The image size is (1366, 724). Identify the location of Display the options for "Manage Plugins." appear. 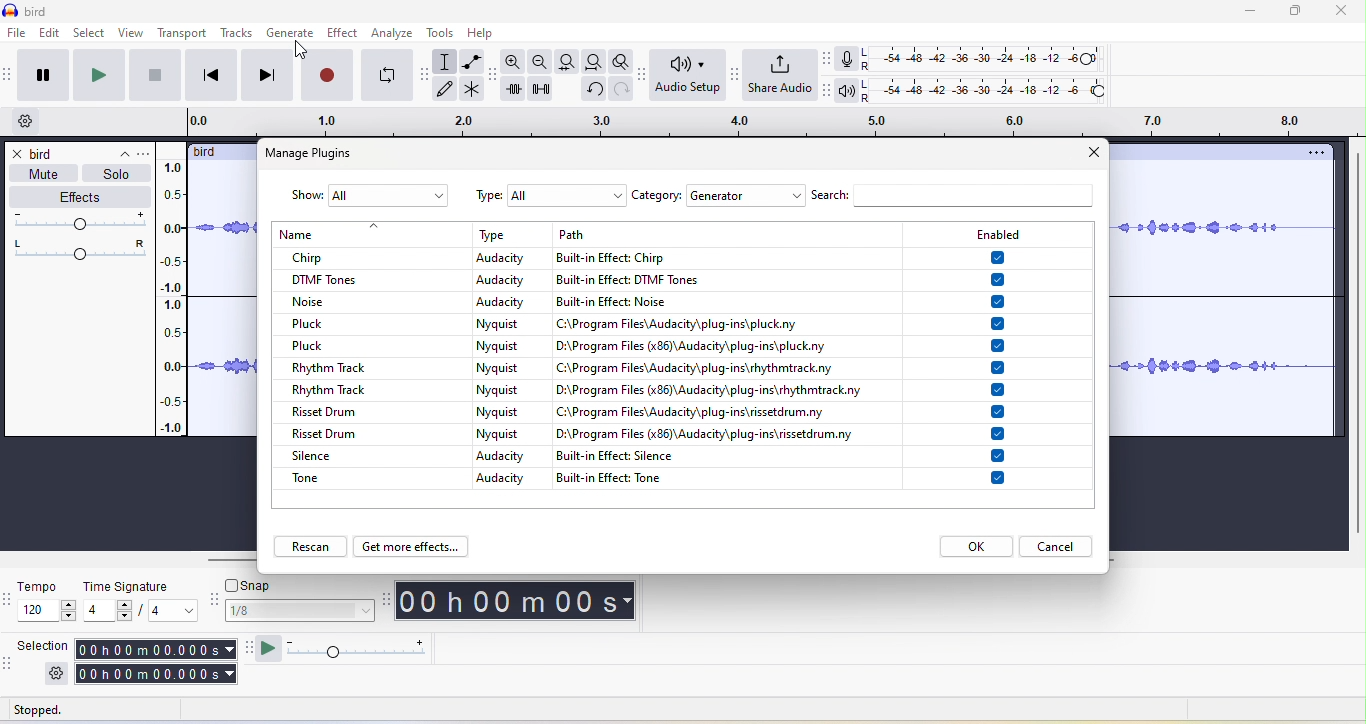
(323, 154).